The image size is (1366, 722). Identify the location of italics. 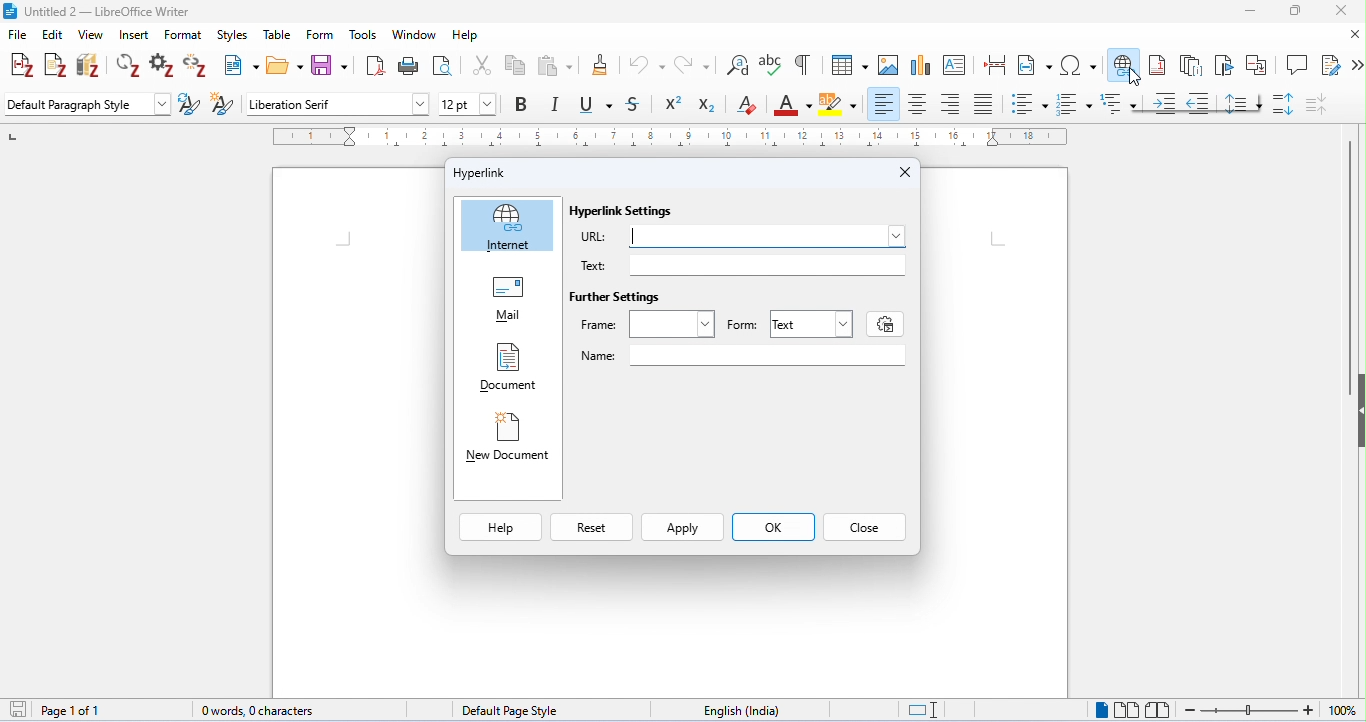
(557, 104).